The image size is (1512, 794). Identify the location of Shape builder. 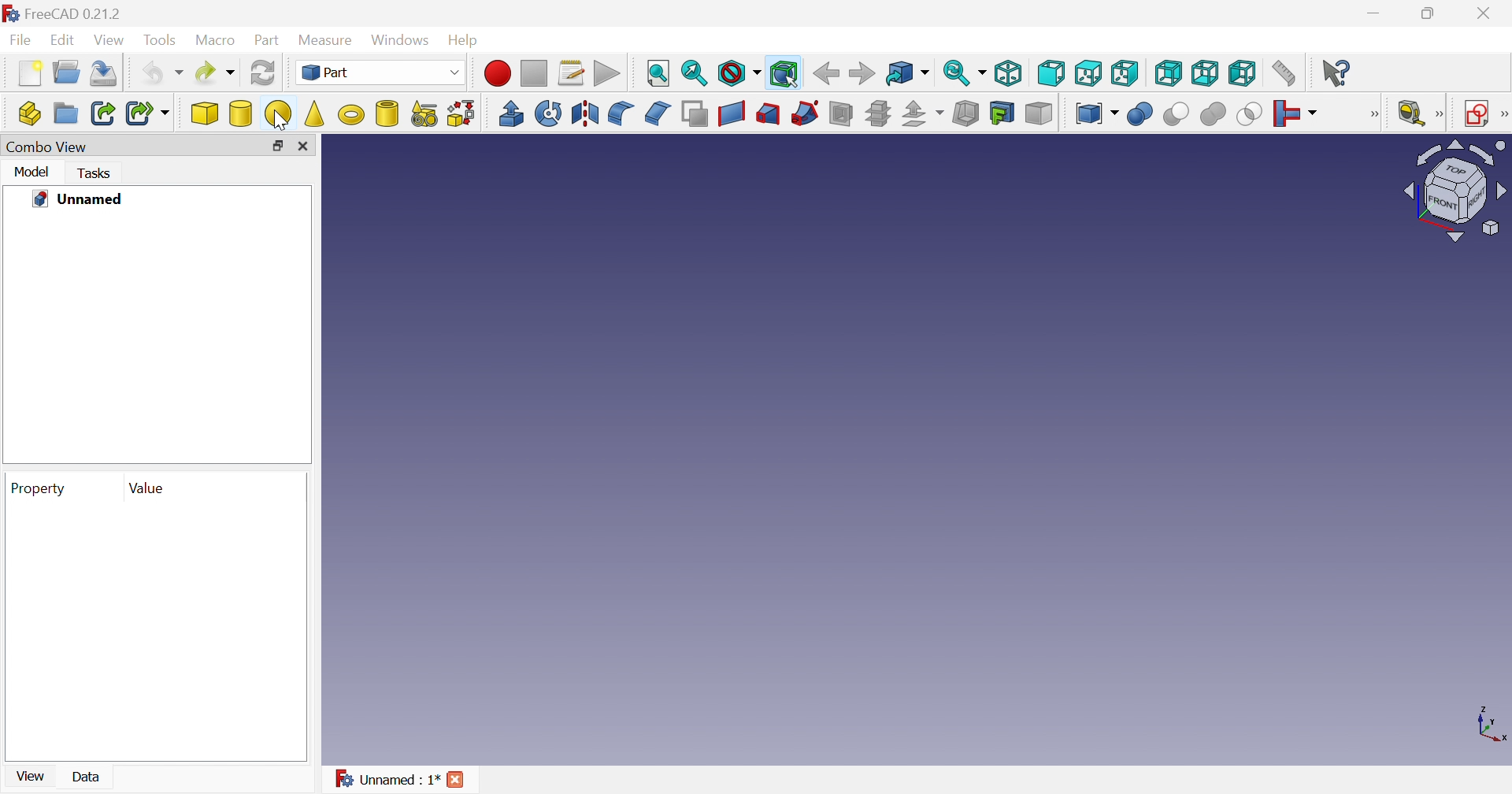
(460, 114).